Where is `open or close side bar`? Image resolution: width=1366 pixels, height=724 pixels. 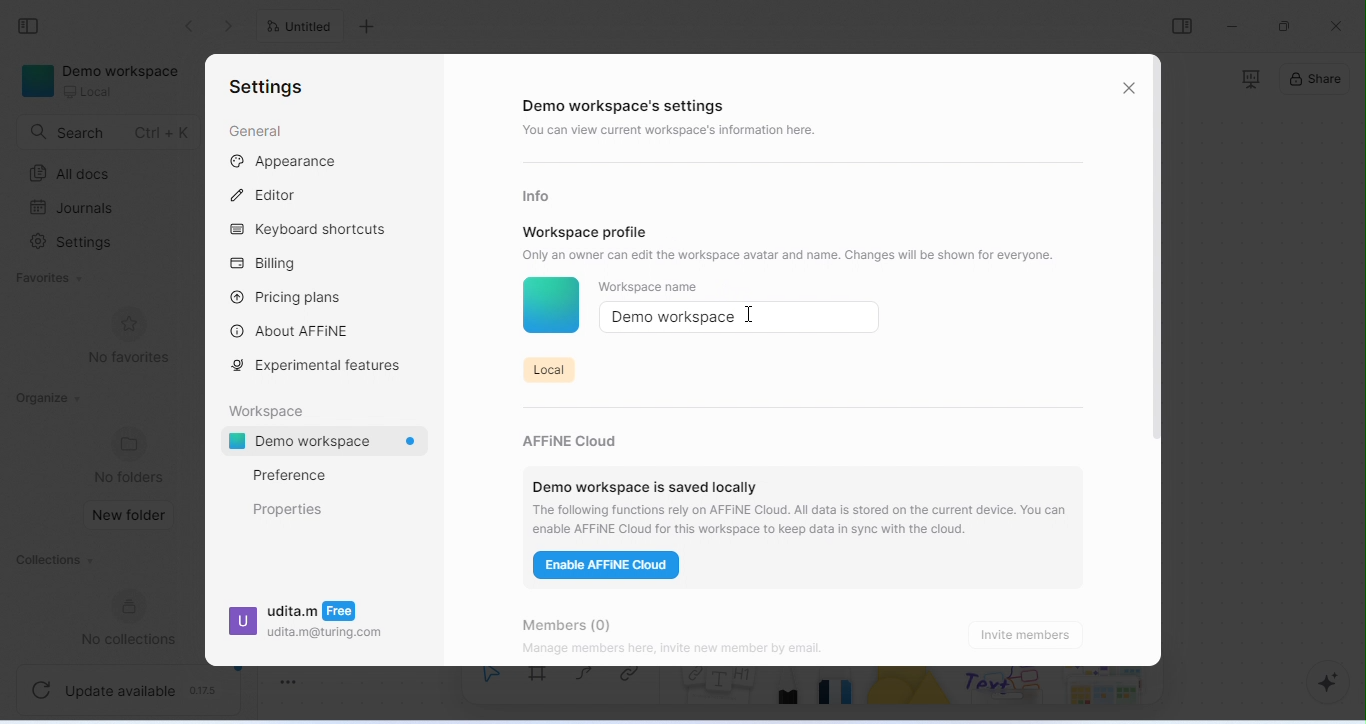
open or close side bar is located at coordinates (1182, 26).